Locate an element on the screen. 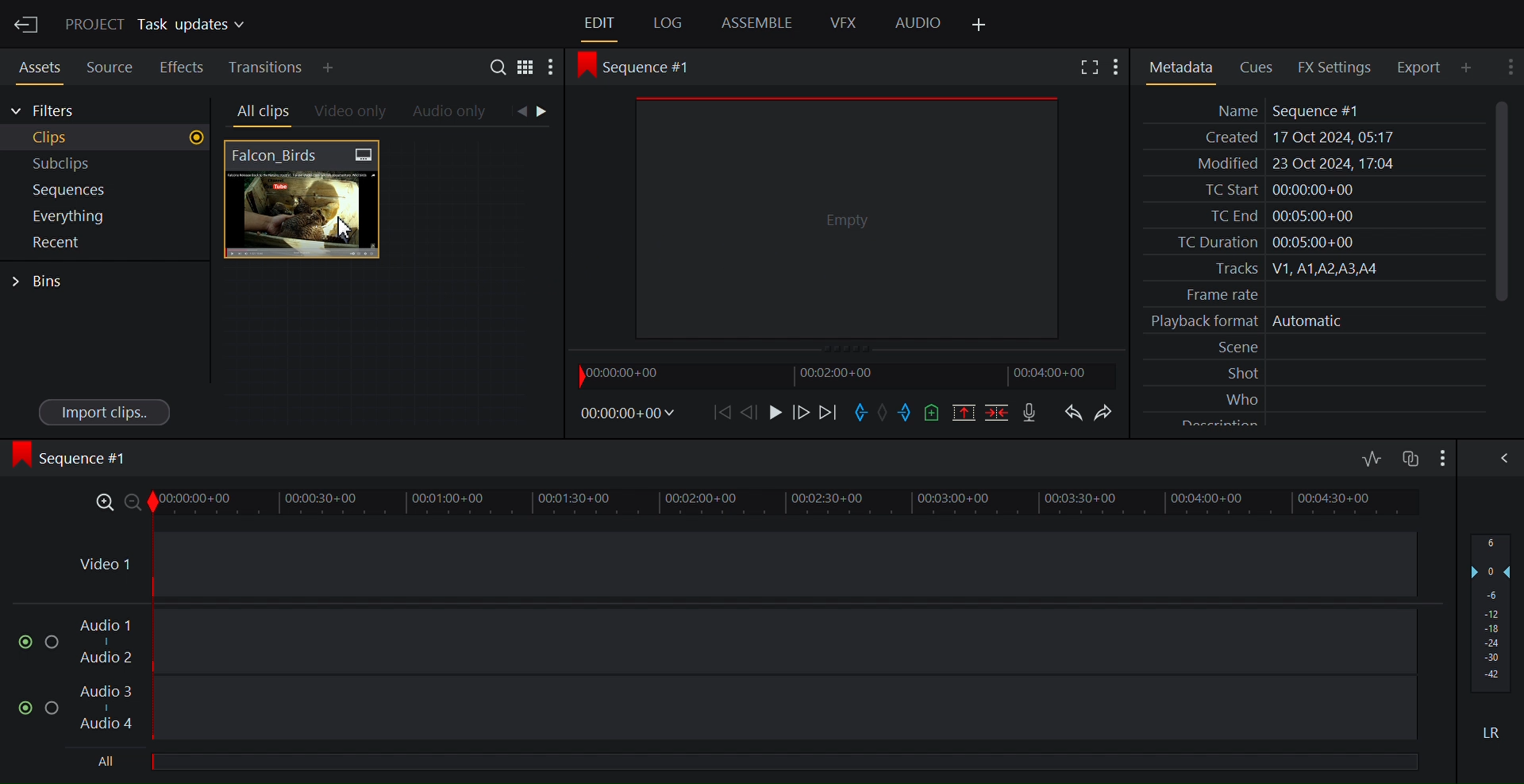 Image resolution: width=1524 pixels, height=784 pixels. Mute is located at coordinates (1493, 732).